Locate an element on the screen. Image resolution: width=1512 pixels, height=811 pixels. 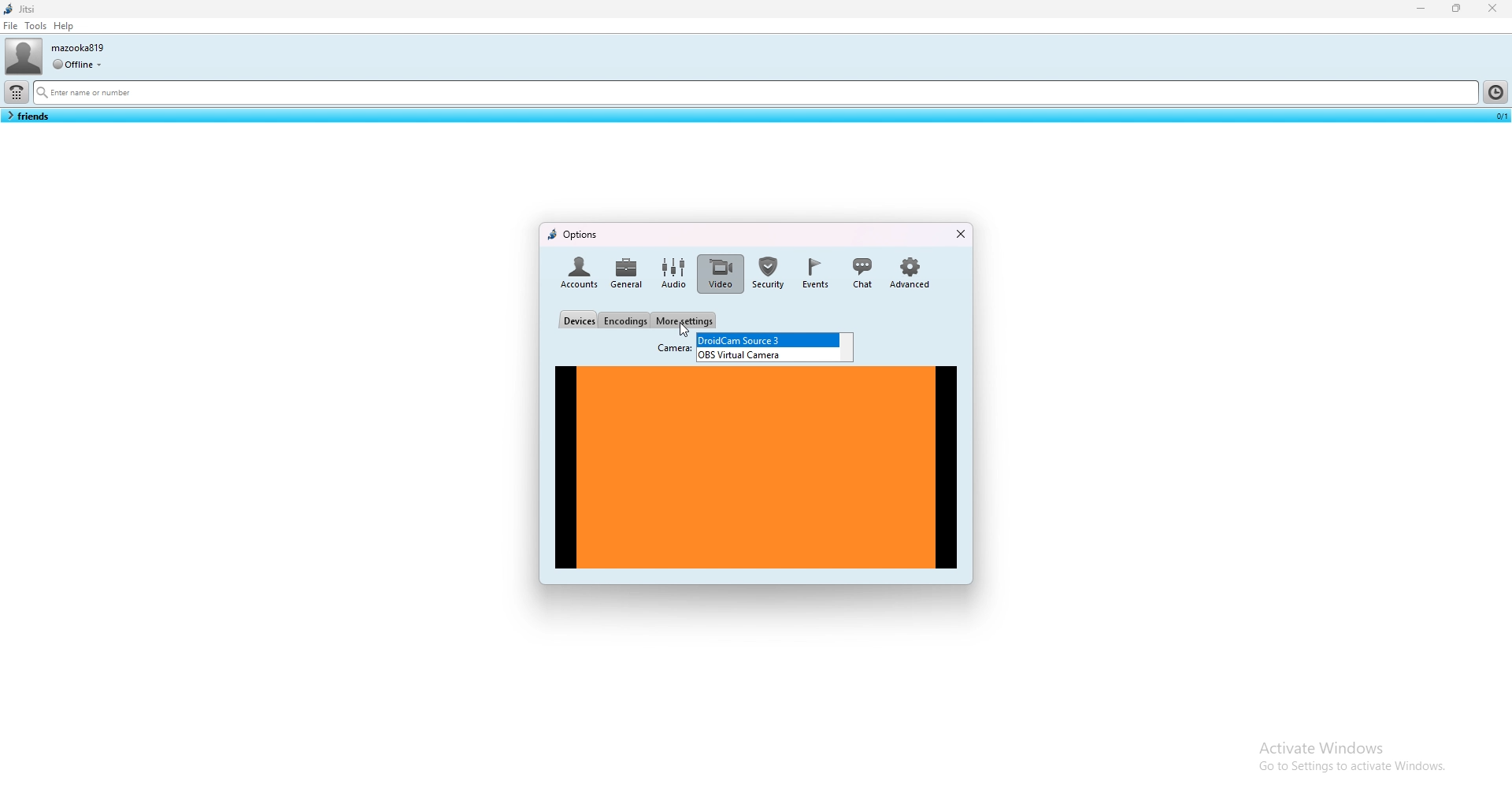
camera source is located at coordinates (767, 339).